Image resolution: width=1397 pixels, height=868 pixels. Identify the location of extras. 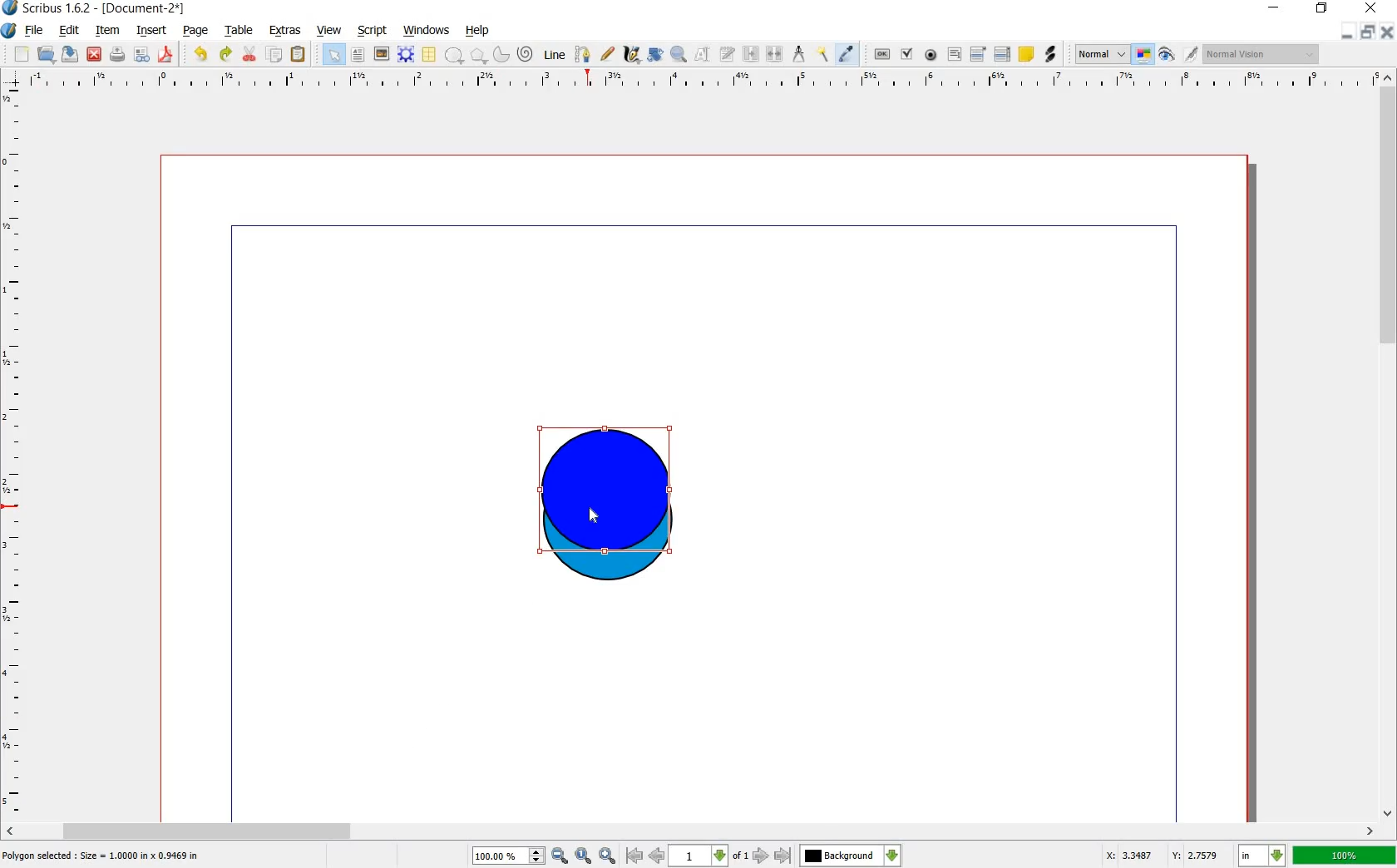
(285, 31).